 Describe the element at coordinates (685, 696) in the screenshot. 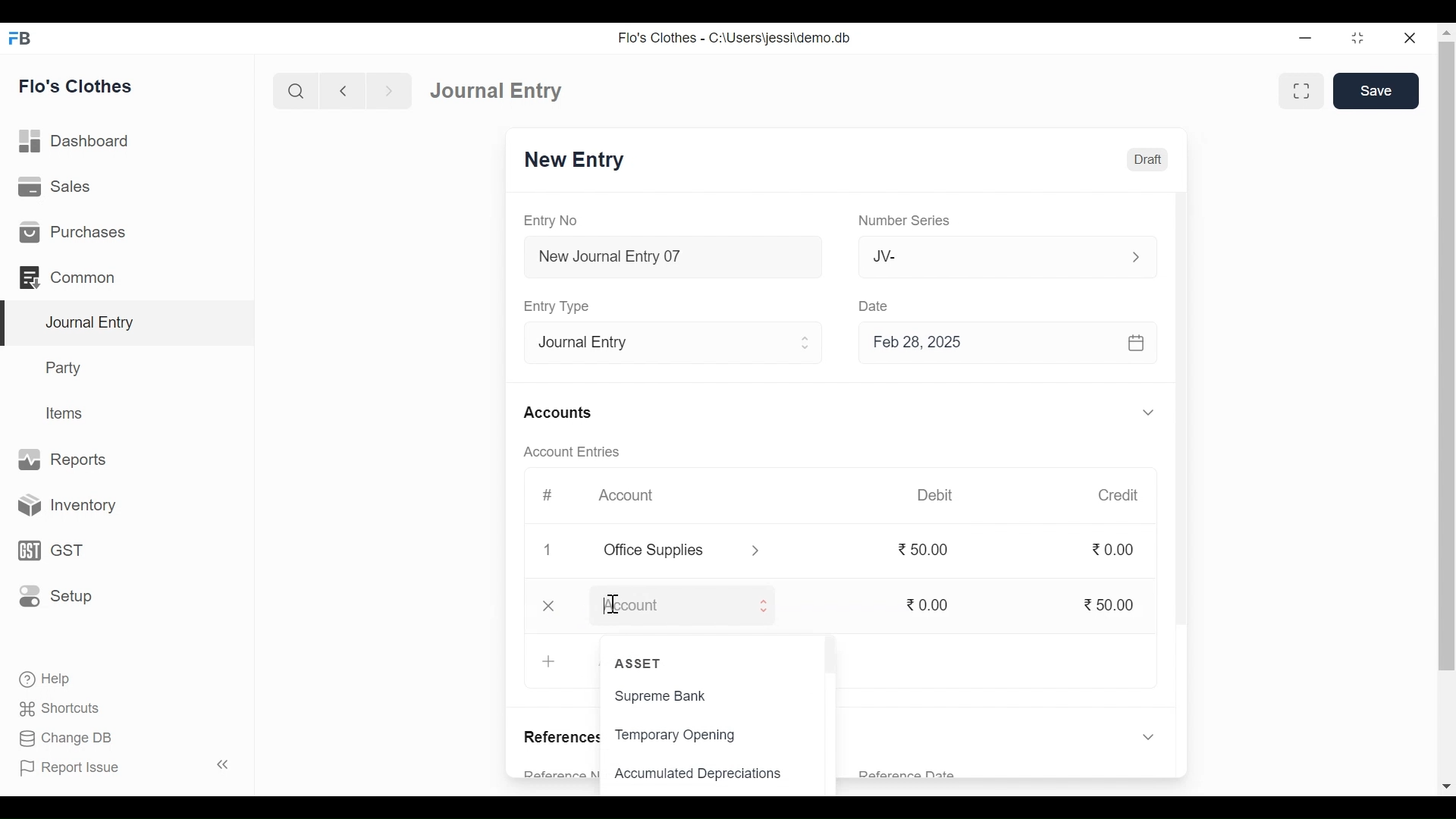

I see `Supreme Bank` at that location.